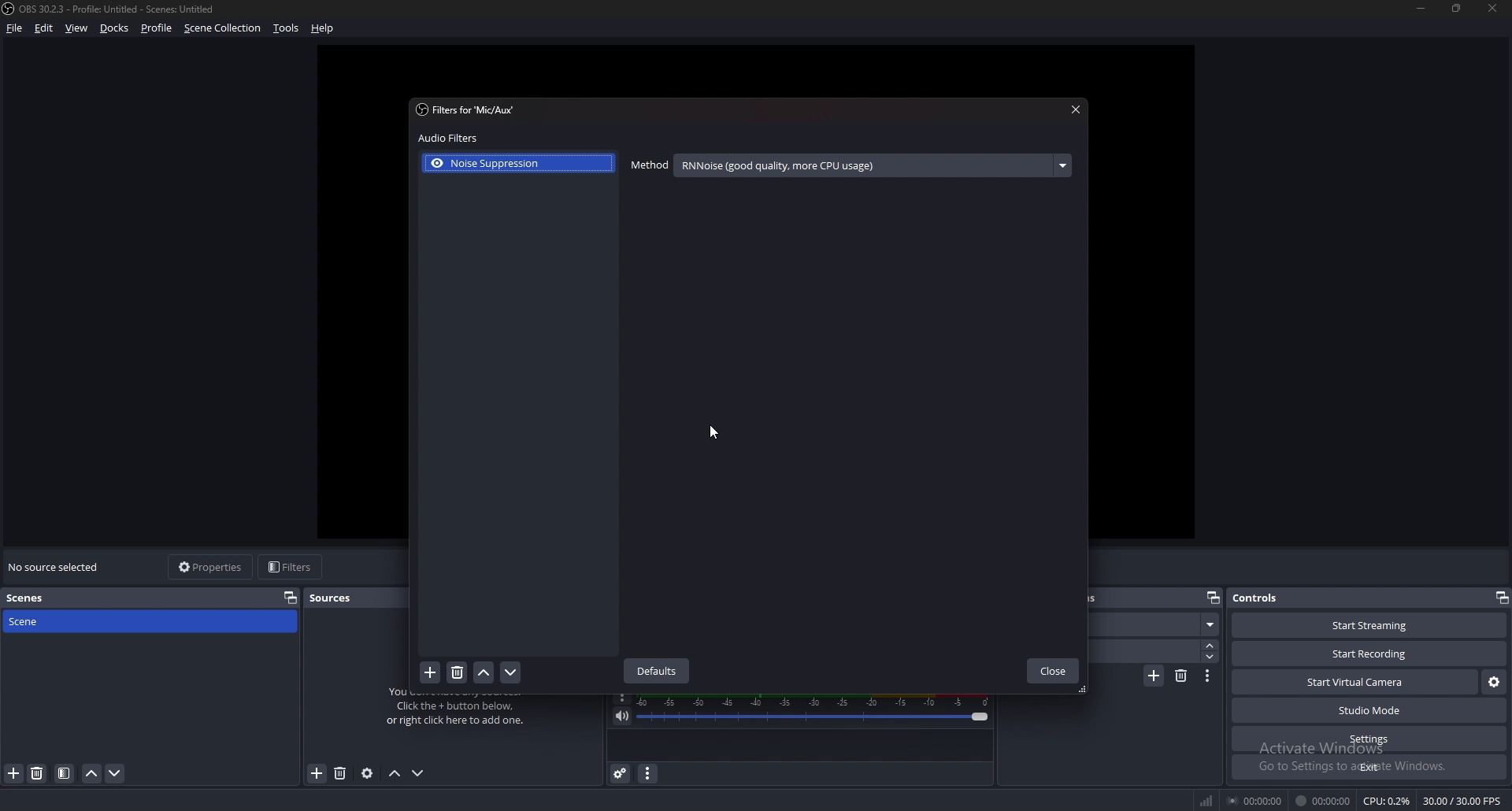 This screenshot has height=811, width=1512. I want to click on method, so click(650, 165).